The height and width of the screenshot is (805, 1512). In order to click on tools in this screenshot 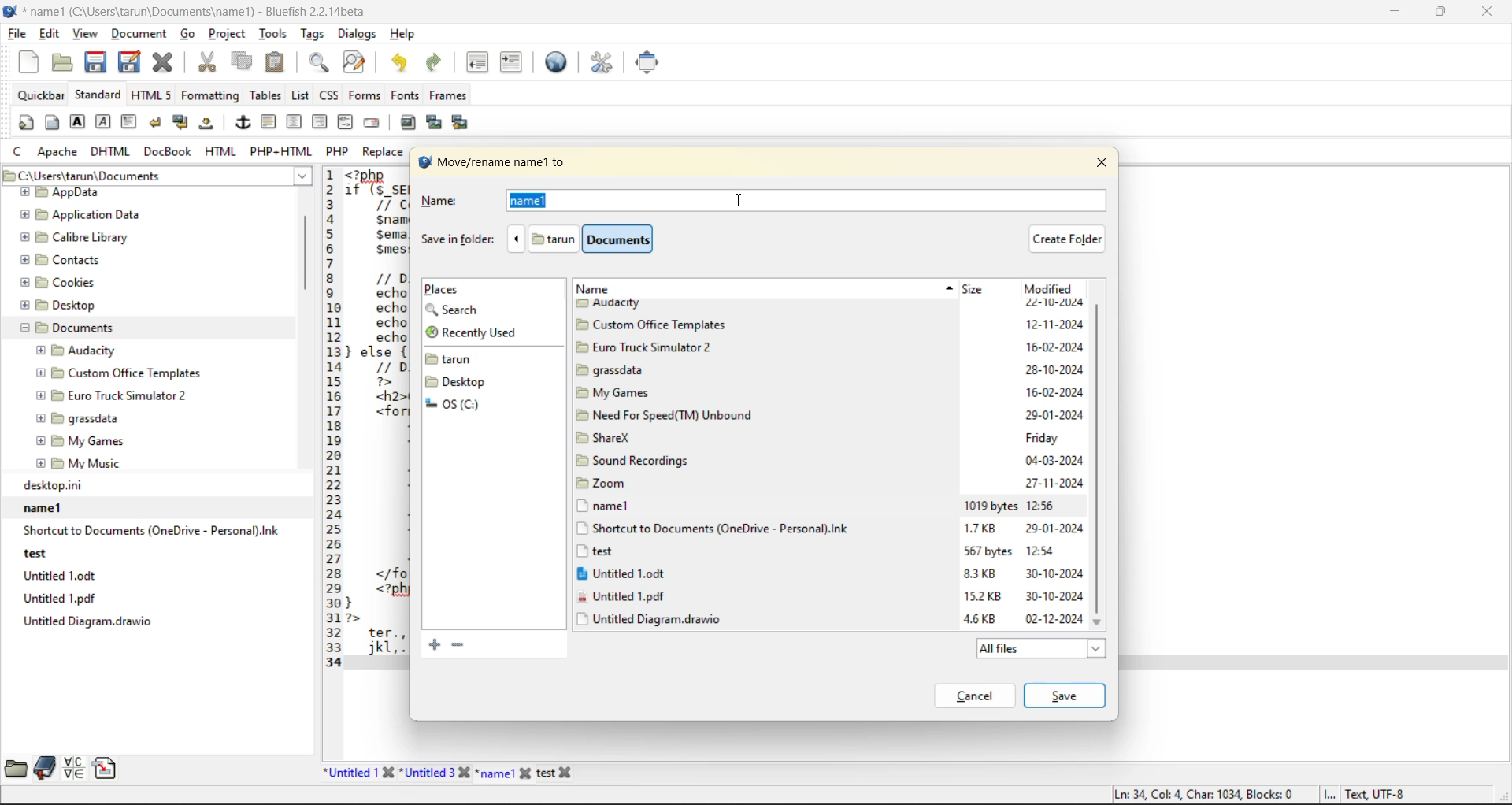, I will do `click(274, 34)`.